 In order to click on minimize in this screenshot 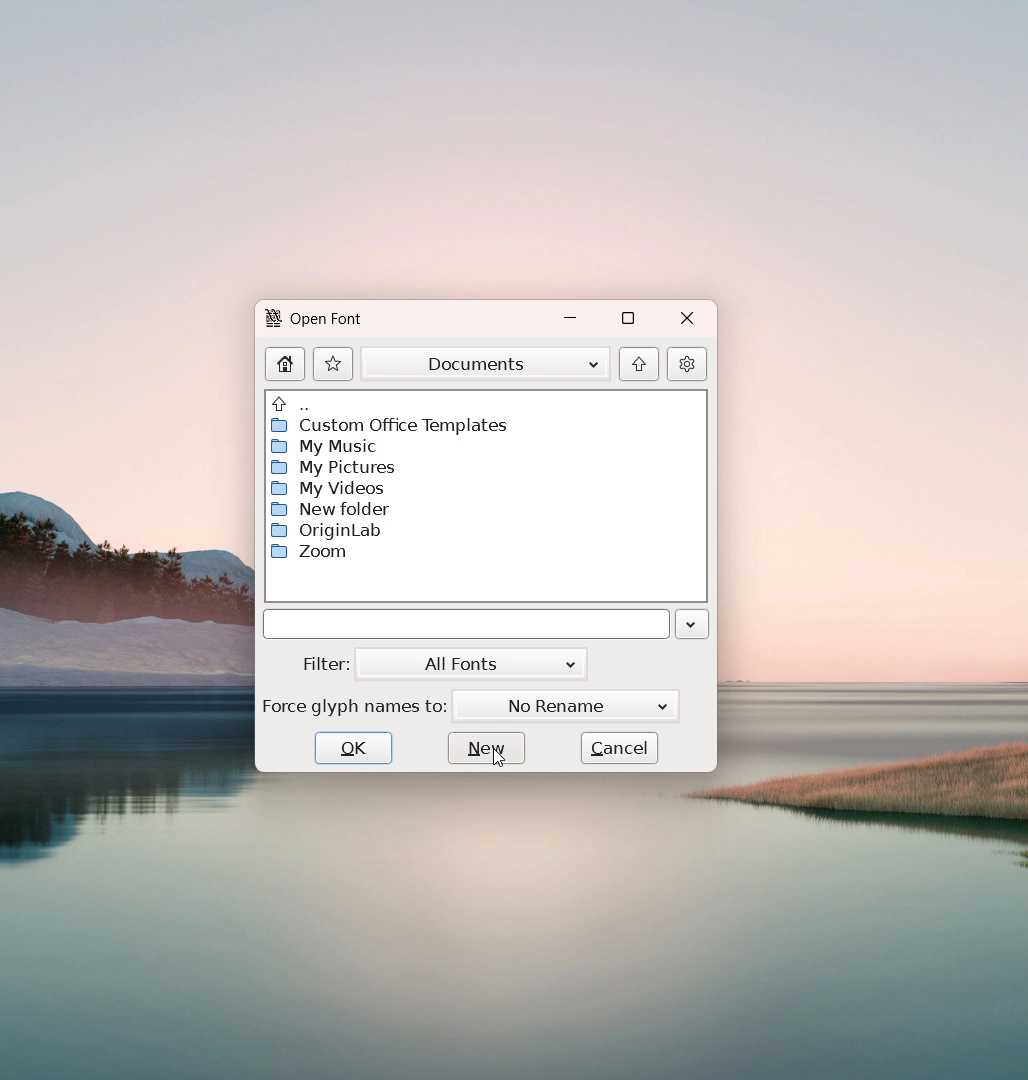, I will do `click(574, 319)`.